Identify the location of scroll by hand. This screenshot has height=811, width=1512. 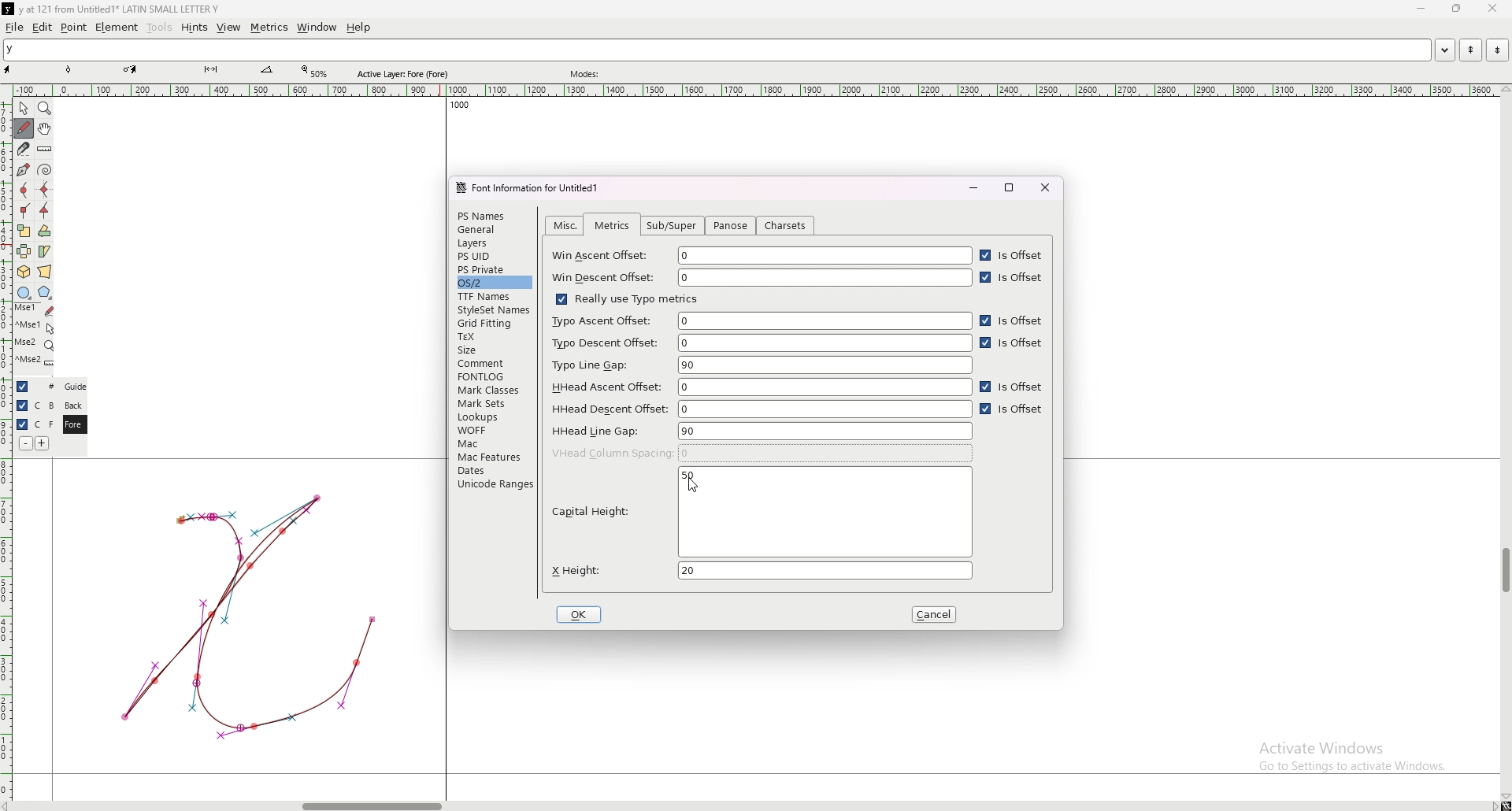
(45, 129).